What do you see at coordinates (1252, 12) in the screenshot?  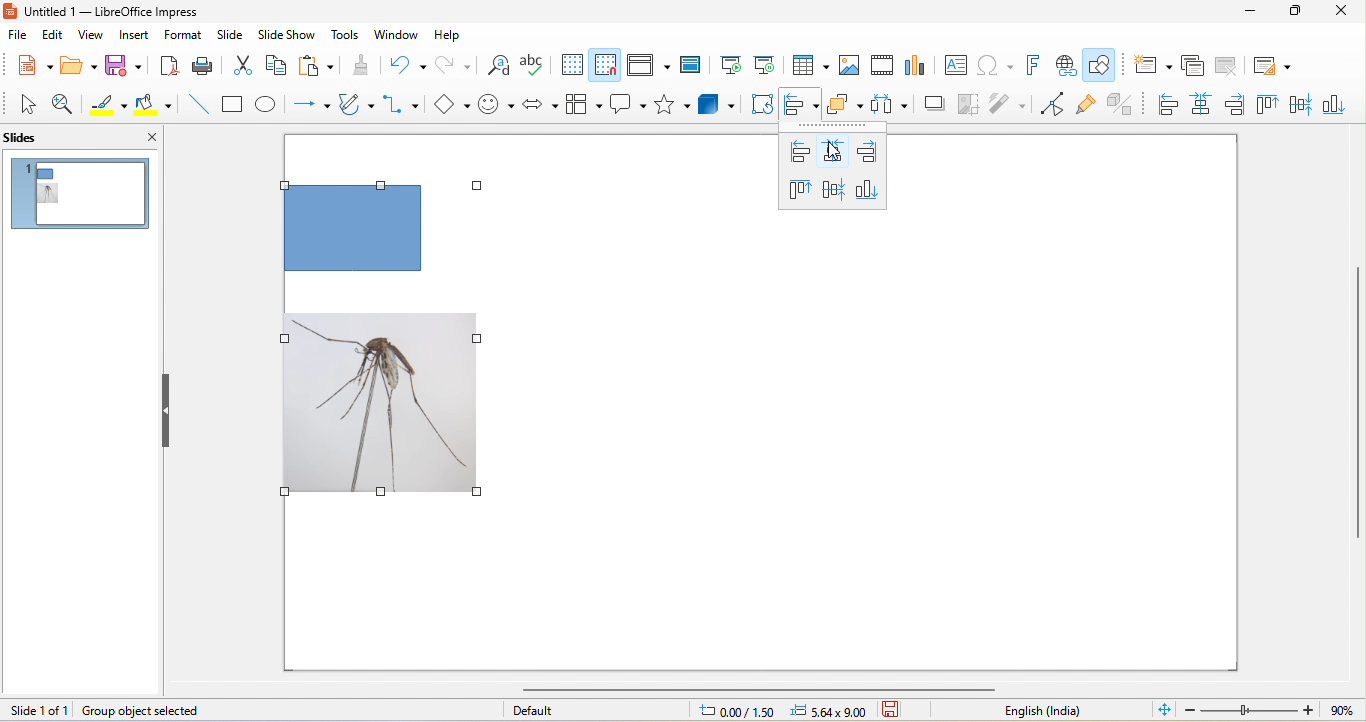 I see `minimize` at bounding box center [1252, 12].